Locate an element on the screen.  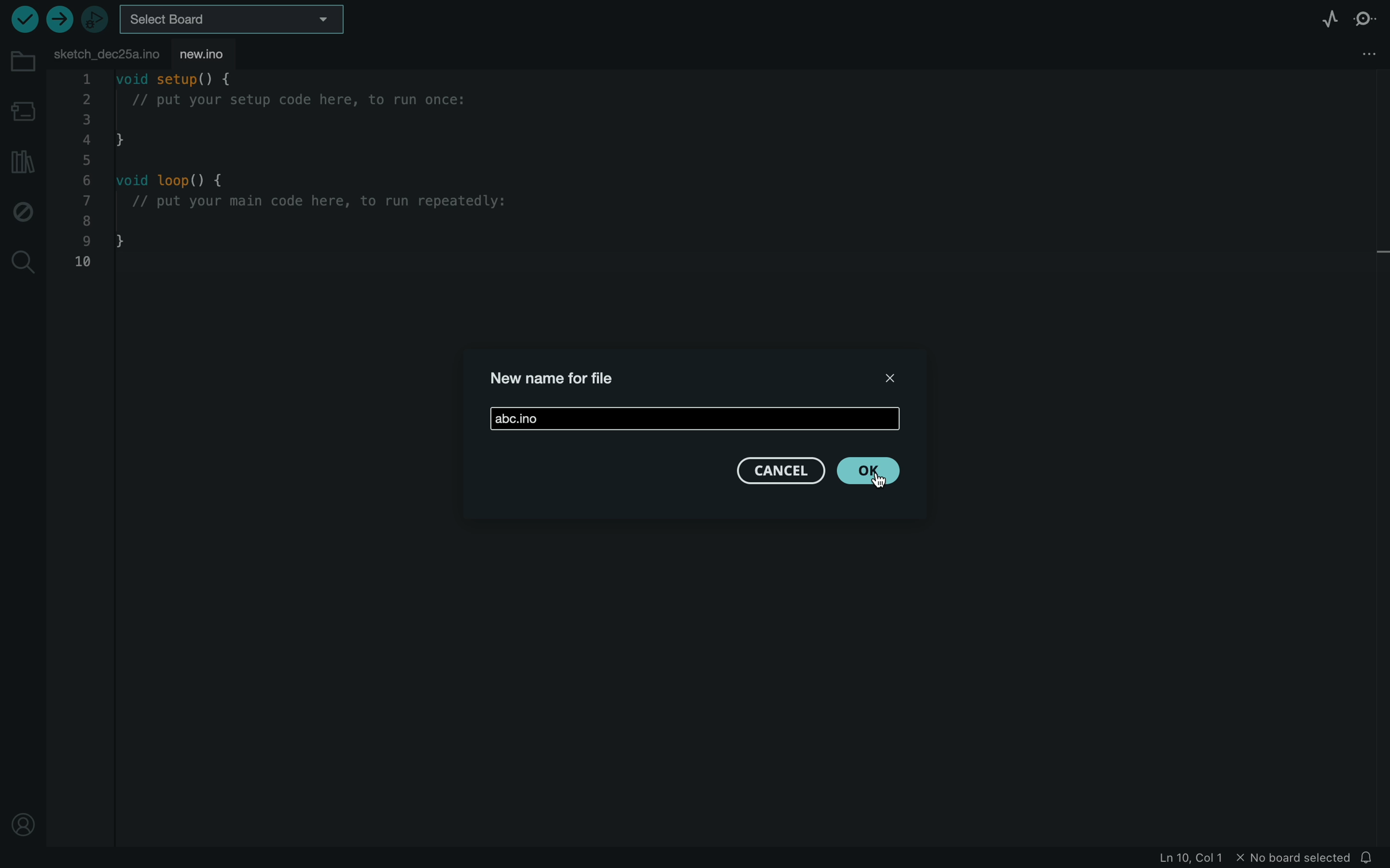
search is located at coordinates (24, 262).